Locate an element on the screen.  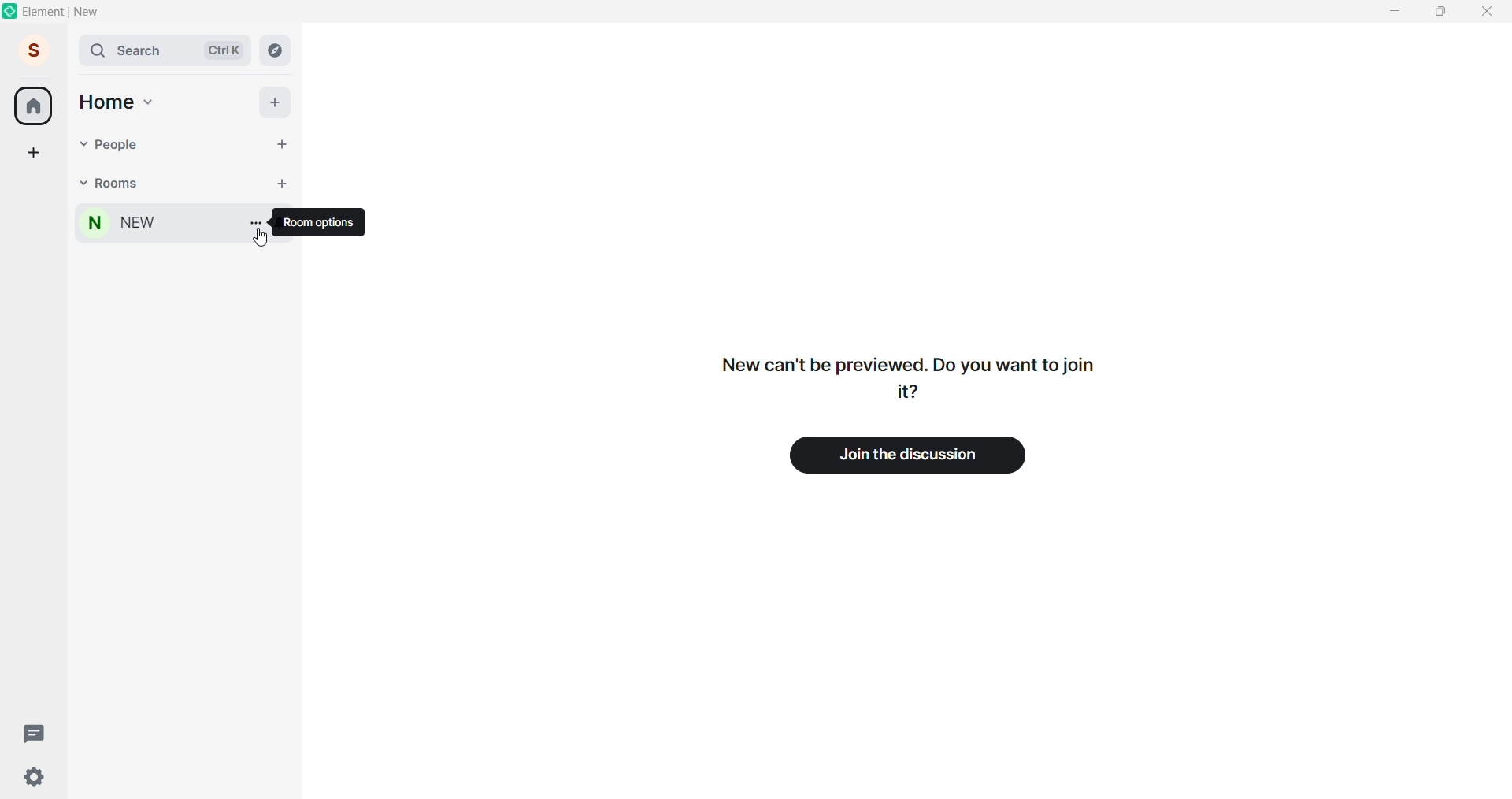
join the discussion is located at coordinates (925, 456).